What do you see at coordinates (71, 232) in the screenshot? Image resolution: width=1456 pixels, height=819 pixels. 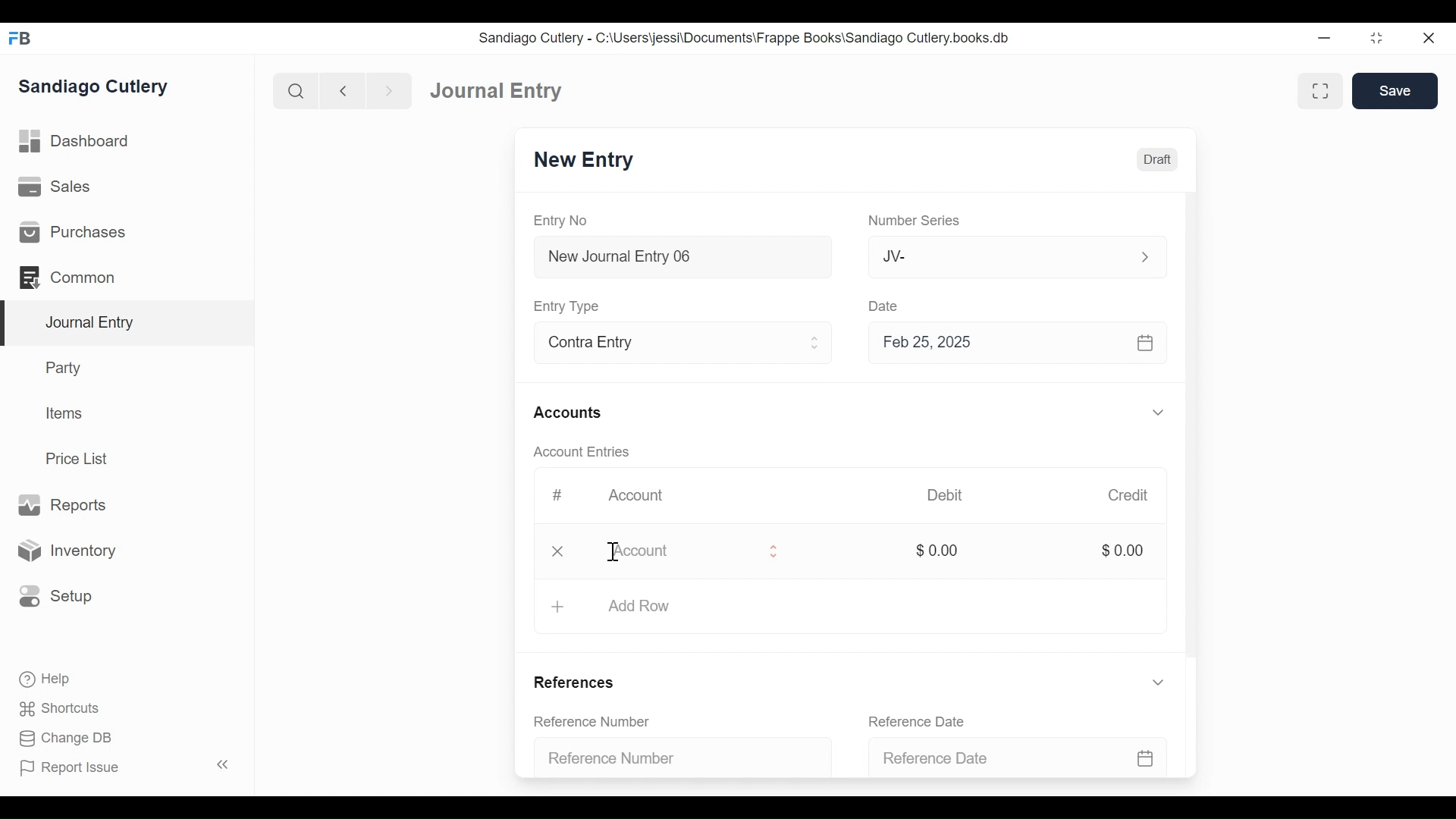 I see `Purchases` at bounding box center [71, 232].